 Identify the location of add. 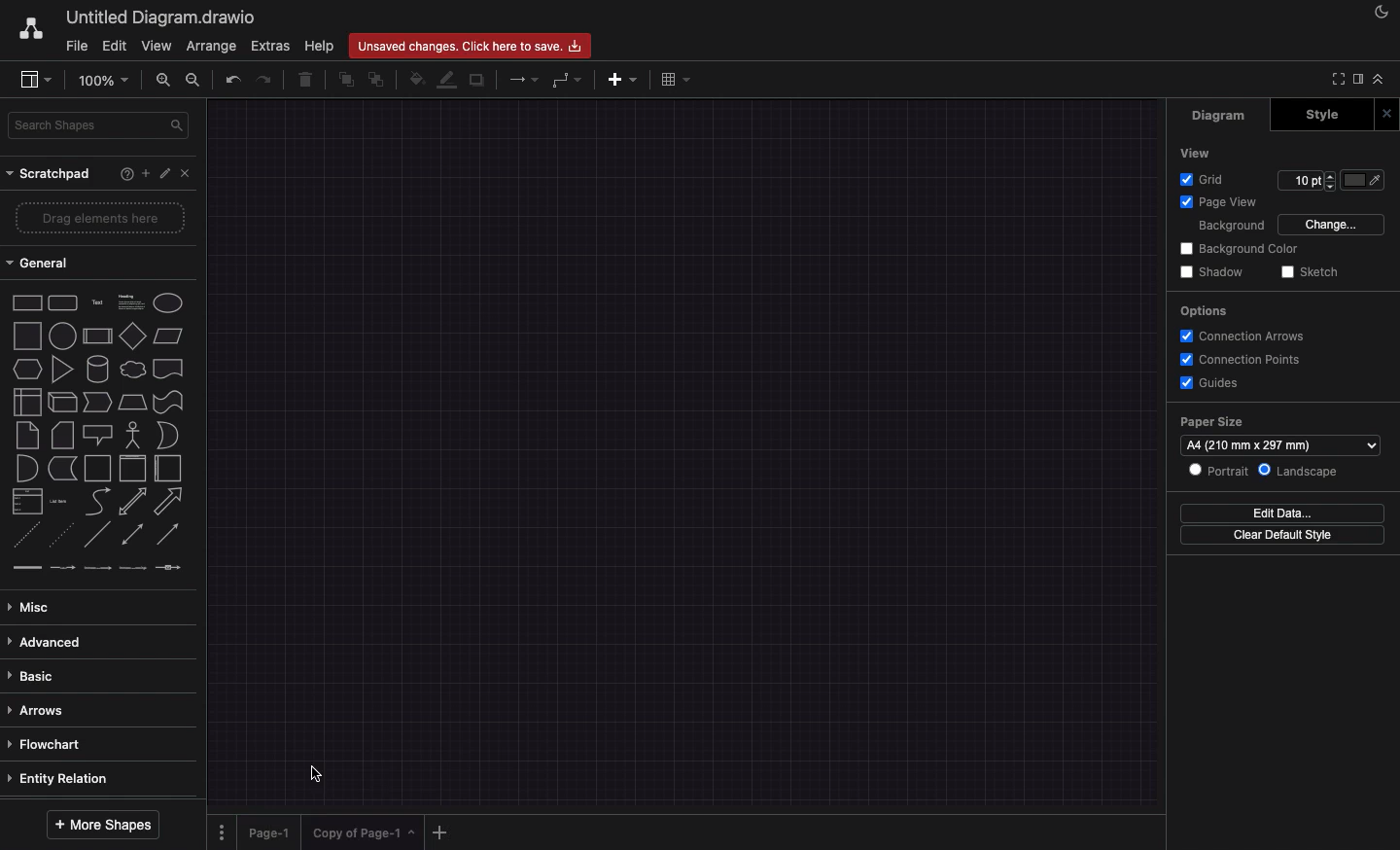
(440, 832).